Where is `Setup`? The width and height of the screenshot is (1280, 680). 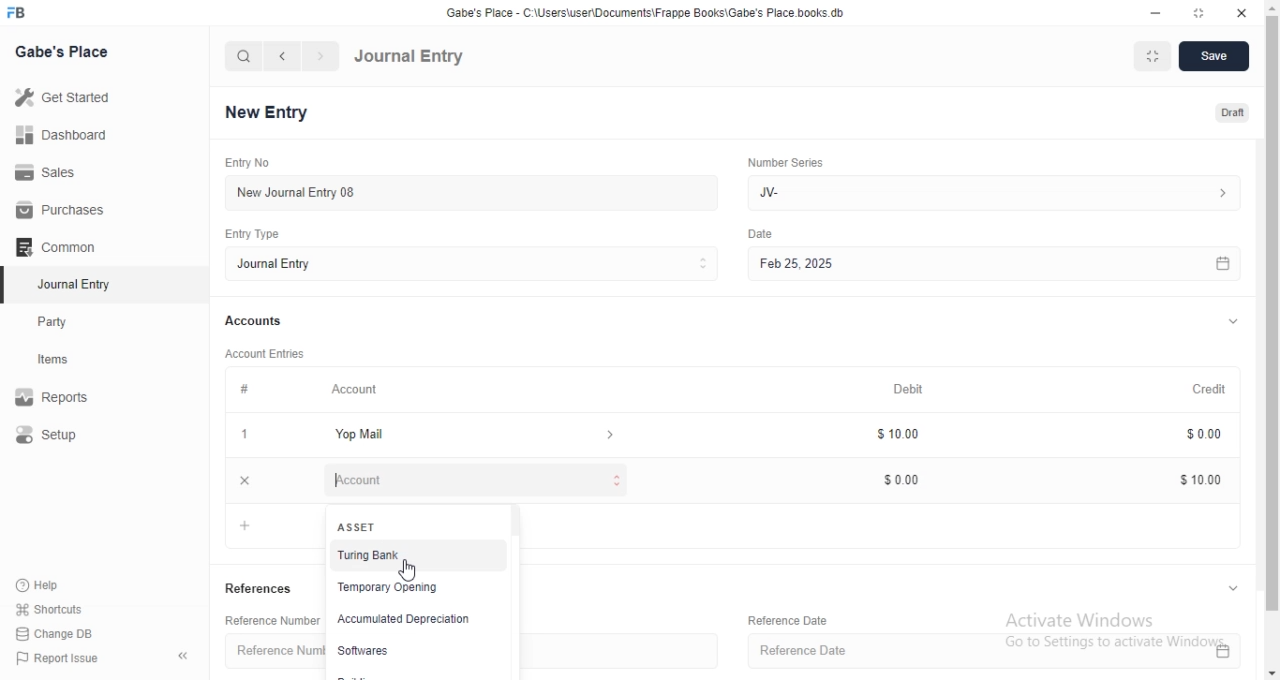 Setup is located at coordinates (68, 436).